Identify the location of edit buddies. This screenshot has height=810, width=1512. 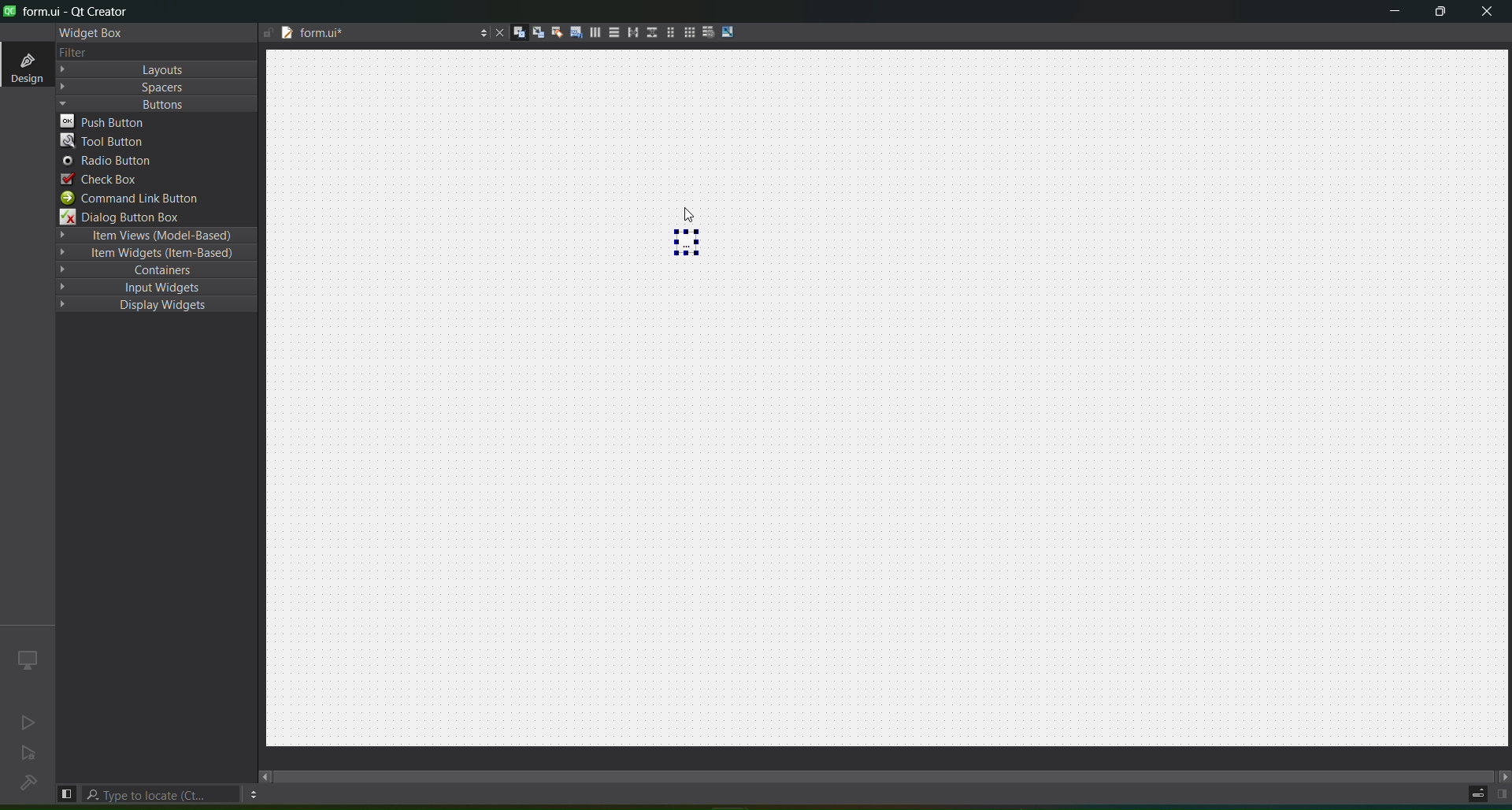
(556, 31).